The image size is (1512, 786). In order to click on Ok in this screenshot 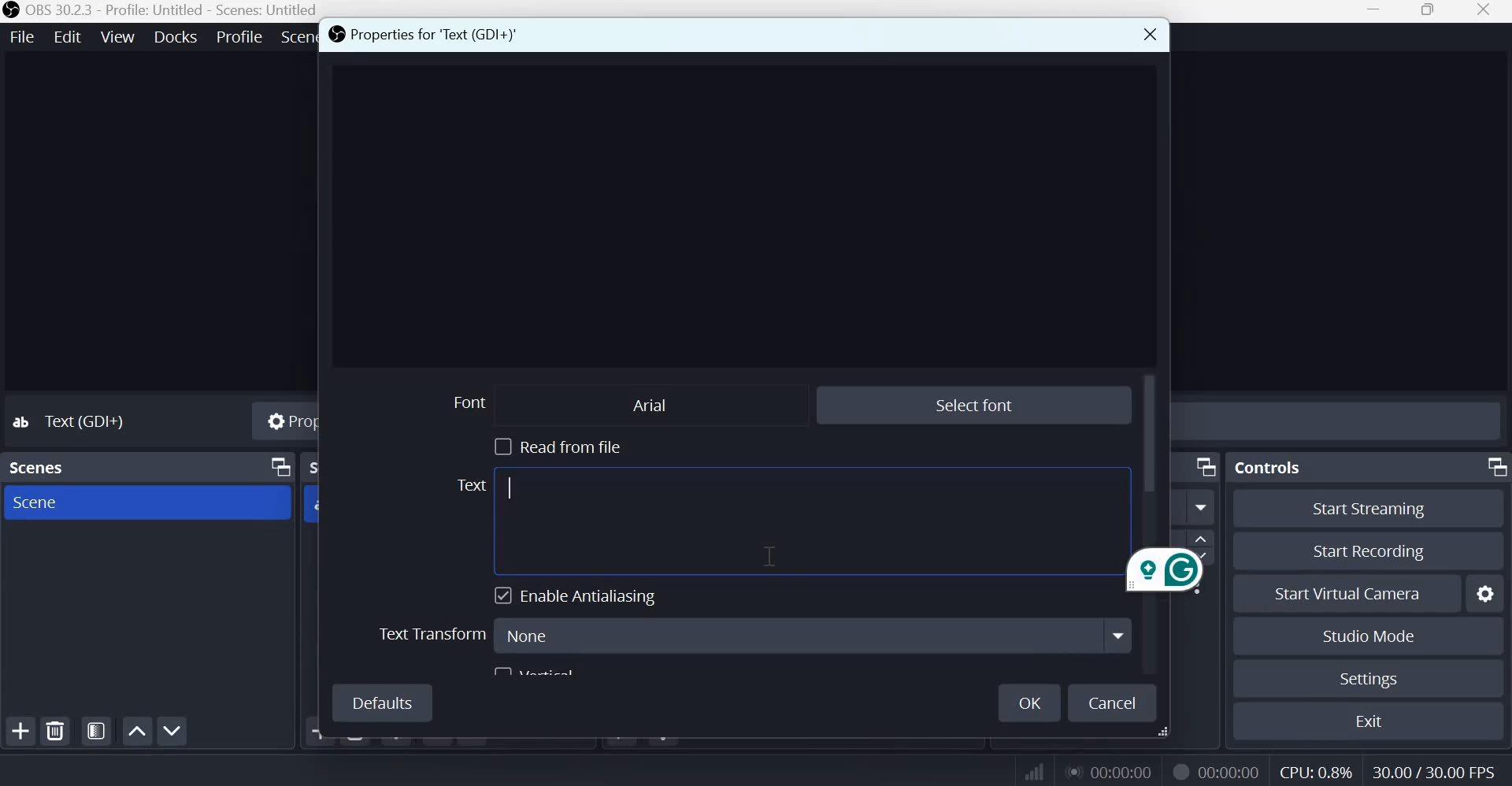, I will do `click(1031, 703)`.